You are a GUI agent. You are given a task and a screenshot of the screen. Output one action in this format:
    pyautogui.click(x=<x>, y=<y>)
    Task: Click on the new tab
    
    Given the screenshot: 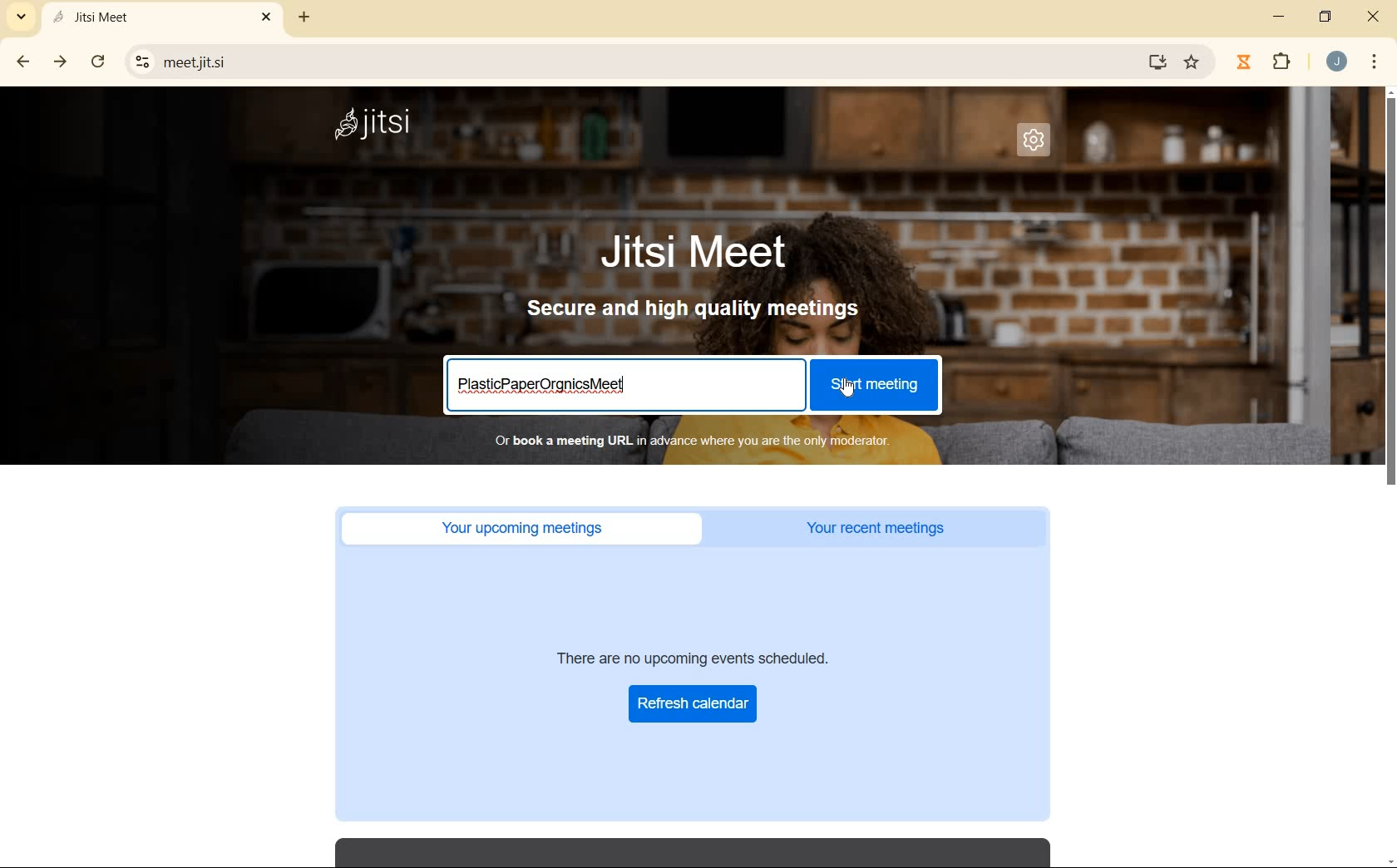 What is the action you would take?
    pyautogui.click(x=301, y=20)
    